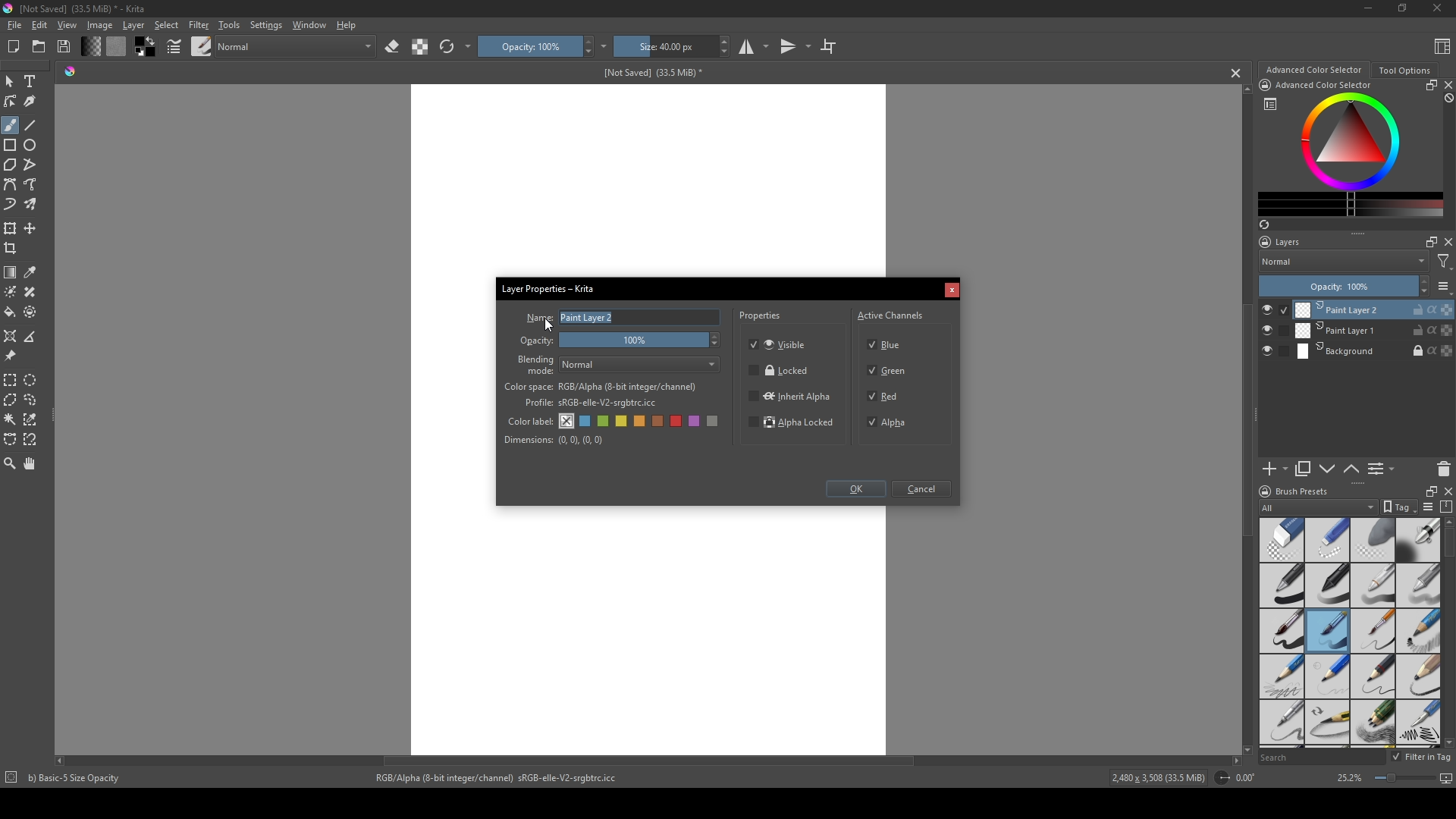 The height and width of the screenshot is (819, 1456). What do you see at coordinates (761, 318) in the screenshot?
I see `properties` at bounding box center [761, 318].